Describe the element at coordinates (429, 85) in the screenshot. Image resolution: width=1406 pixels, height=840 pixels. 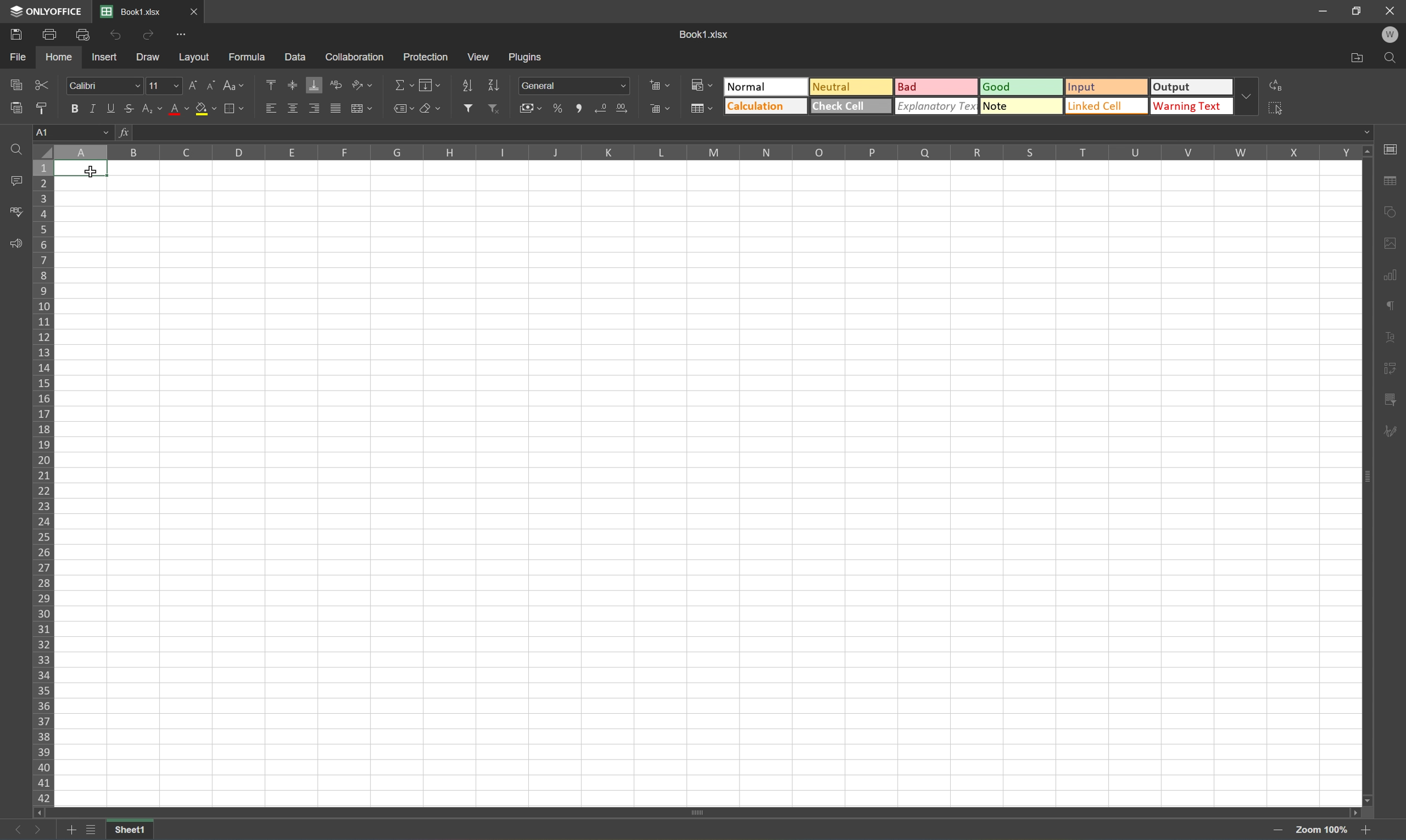
I see `Fill` at that location.